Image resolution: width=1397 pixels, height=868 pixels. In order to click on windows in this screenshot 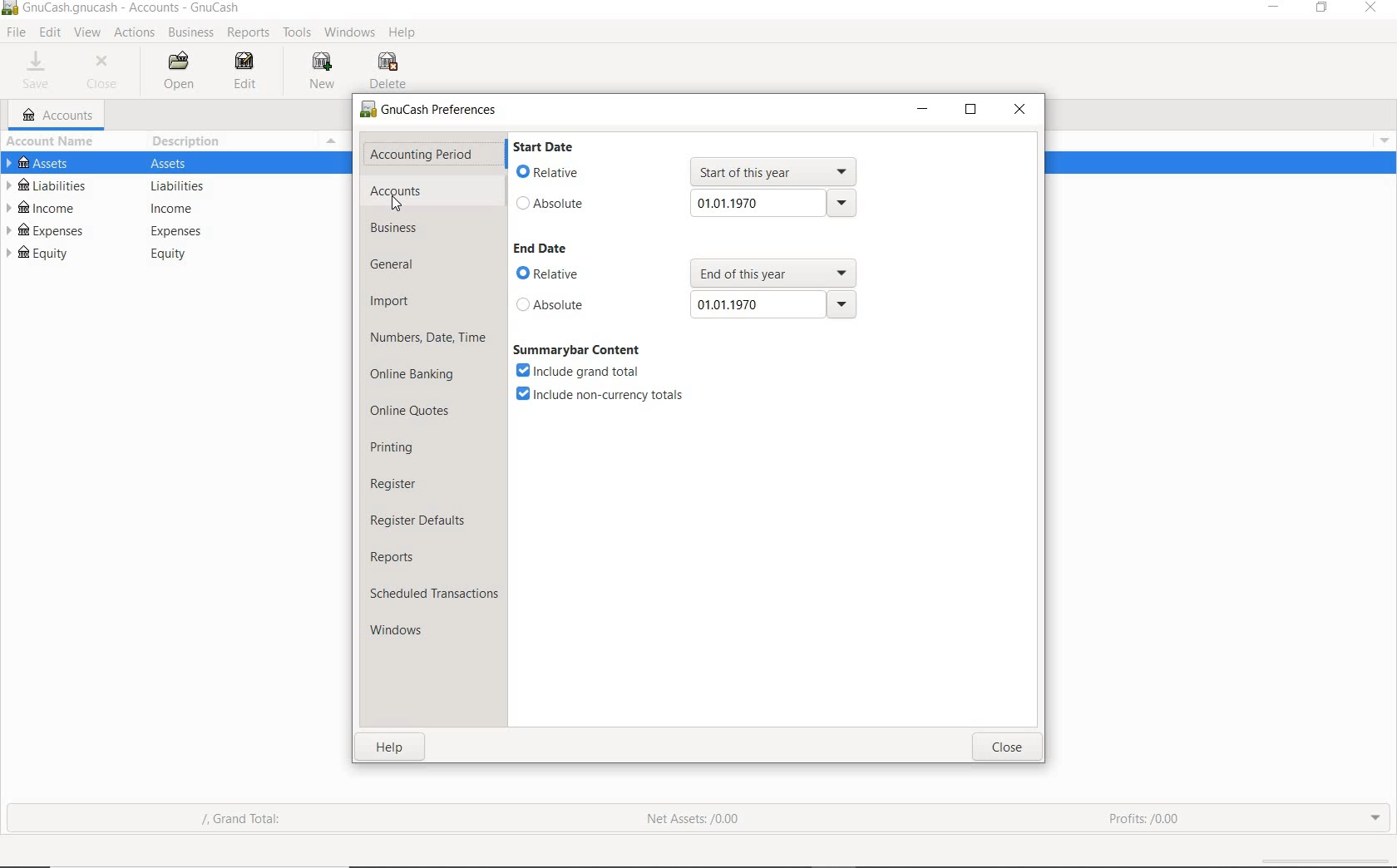, I will do `click(409, 633)`.